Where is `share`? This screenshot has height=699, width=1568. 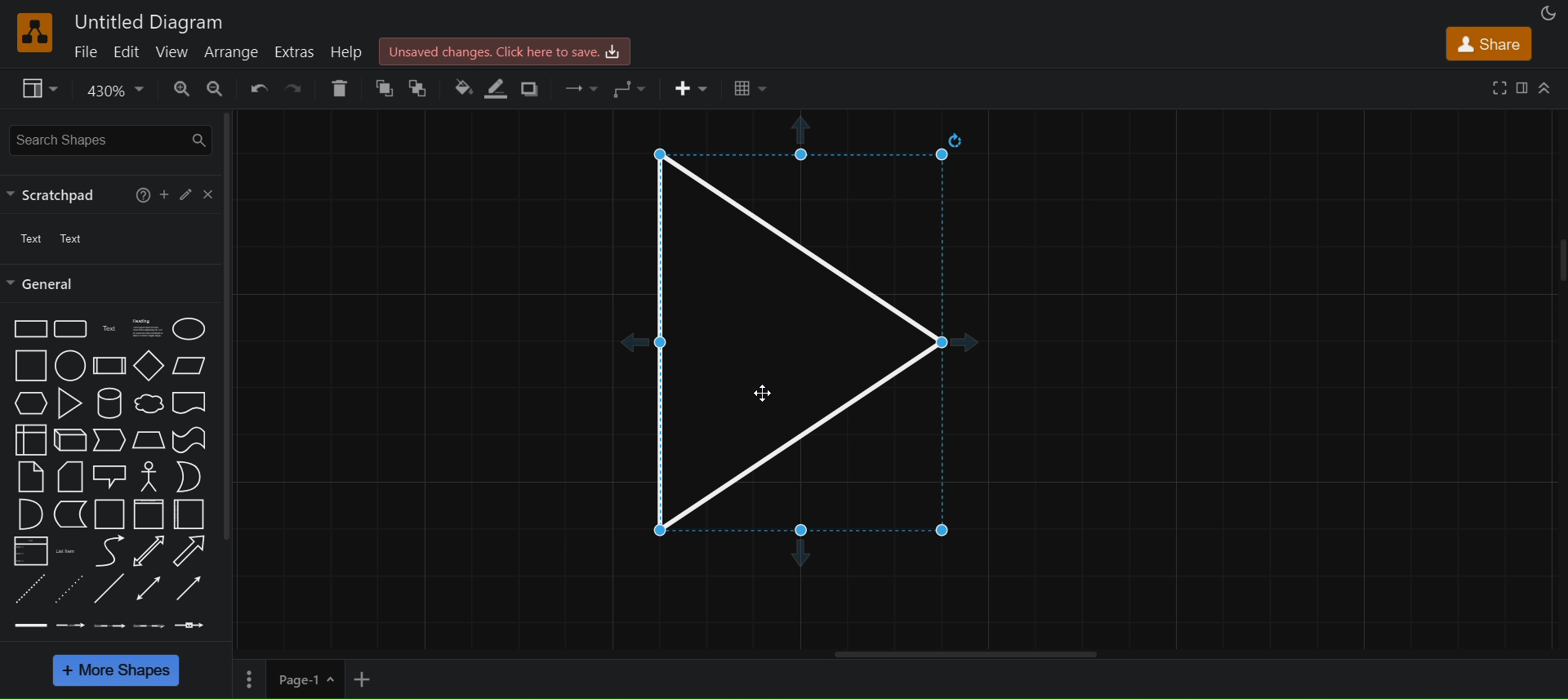 share is located at coordinates (1491, 42).